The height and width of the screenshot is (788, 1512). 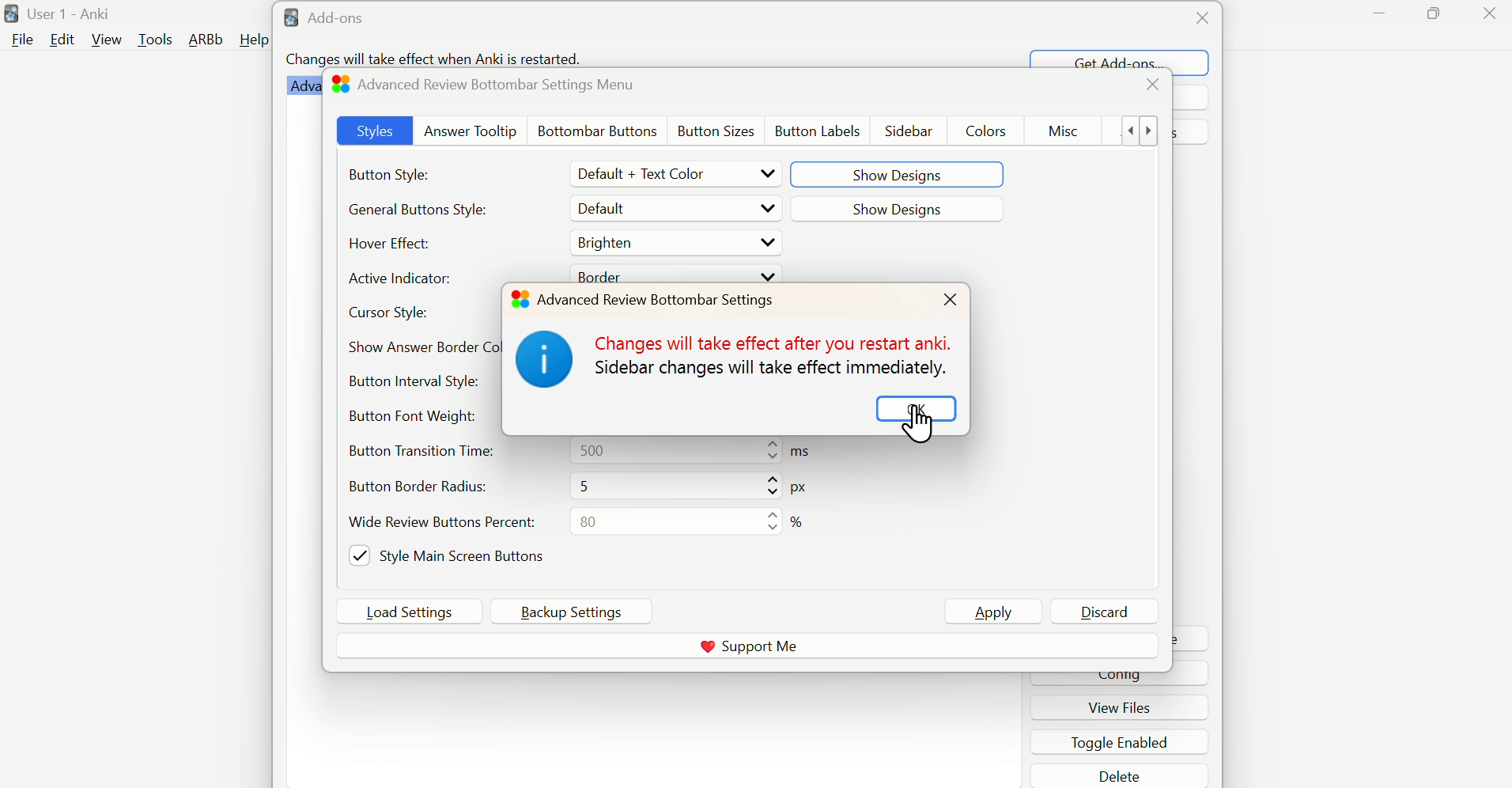 I want to click on Wide Review Button Percent, so click(x=442, y=521).